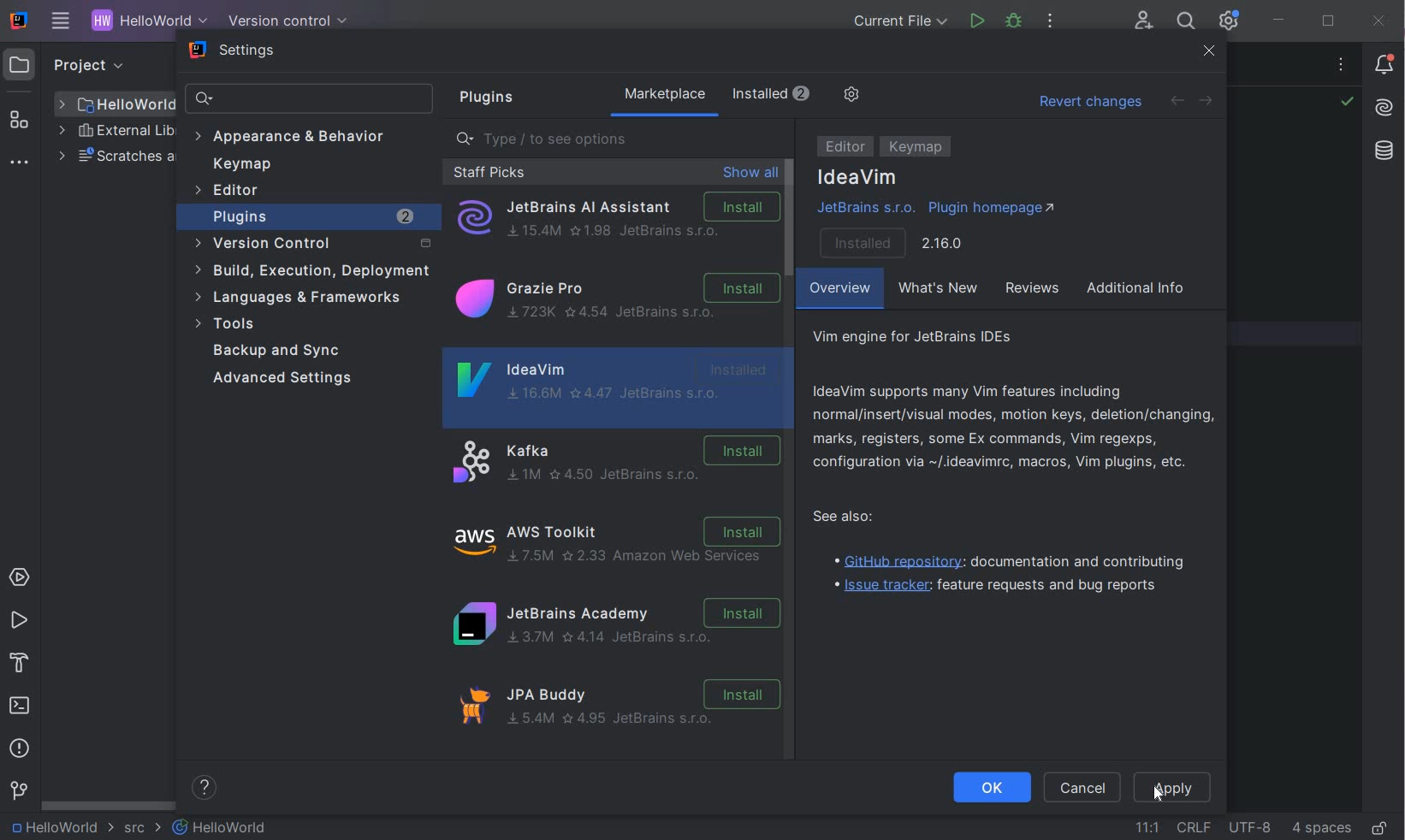 The width and height of the screenshot is (1405, 840). I want to click on cursor, so click(1154, 791).